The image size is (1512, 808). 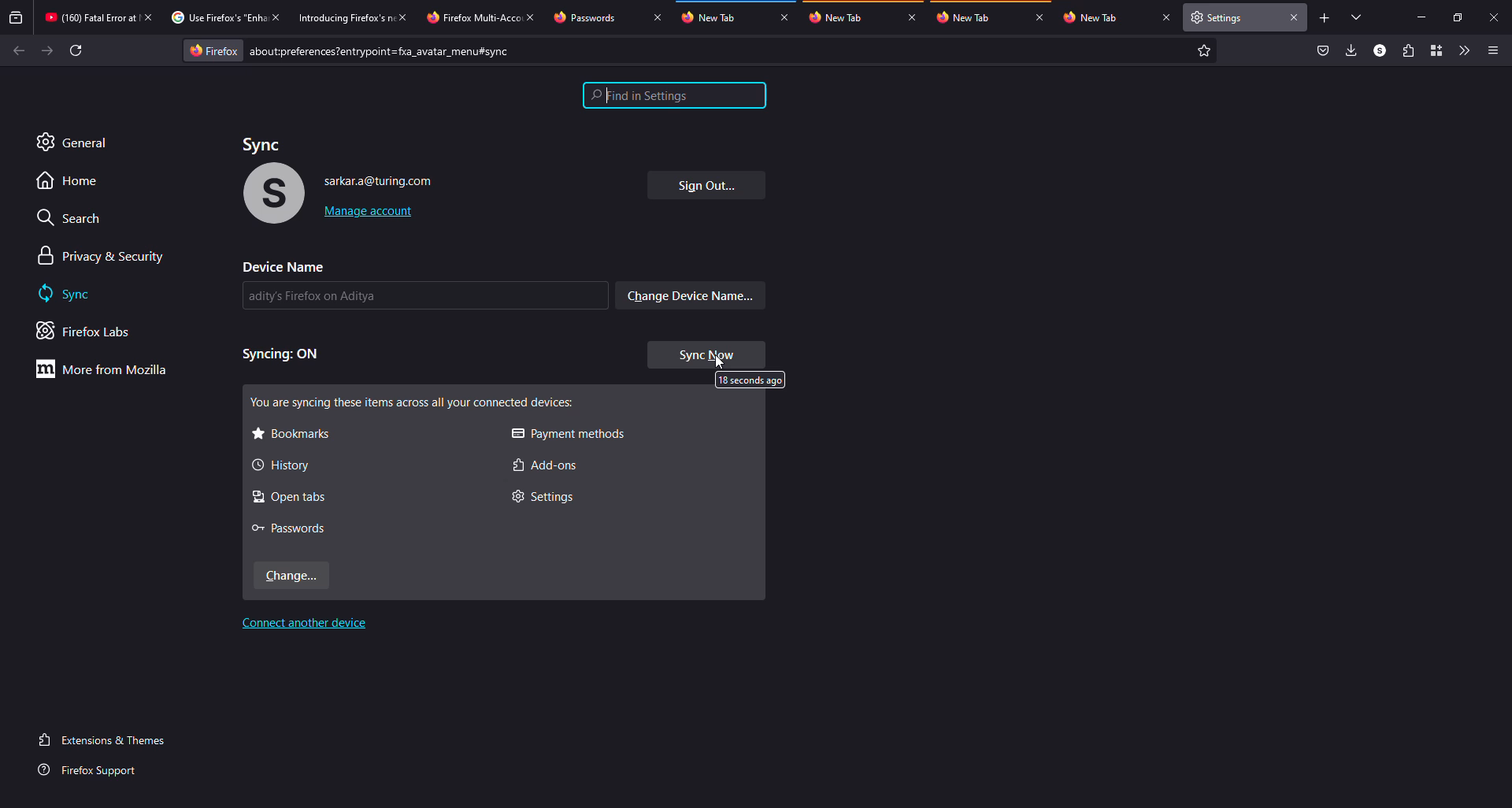 I want to click on downloads, so click(x=1349, y=49).